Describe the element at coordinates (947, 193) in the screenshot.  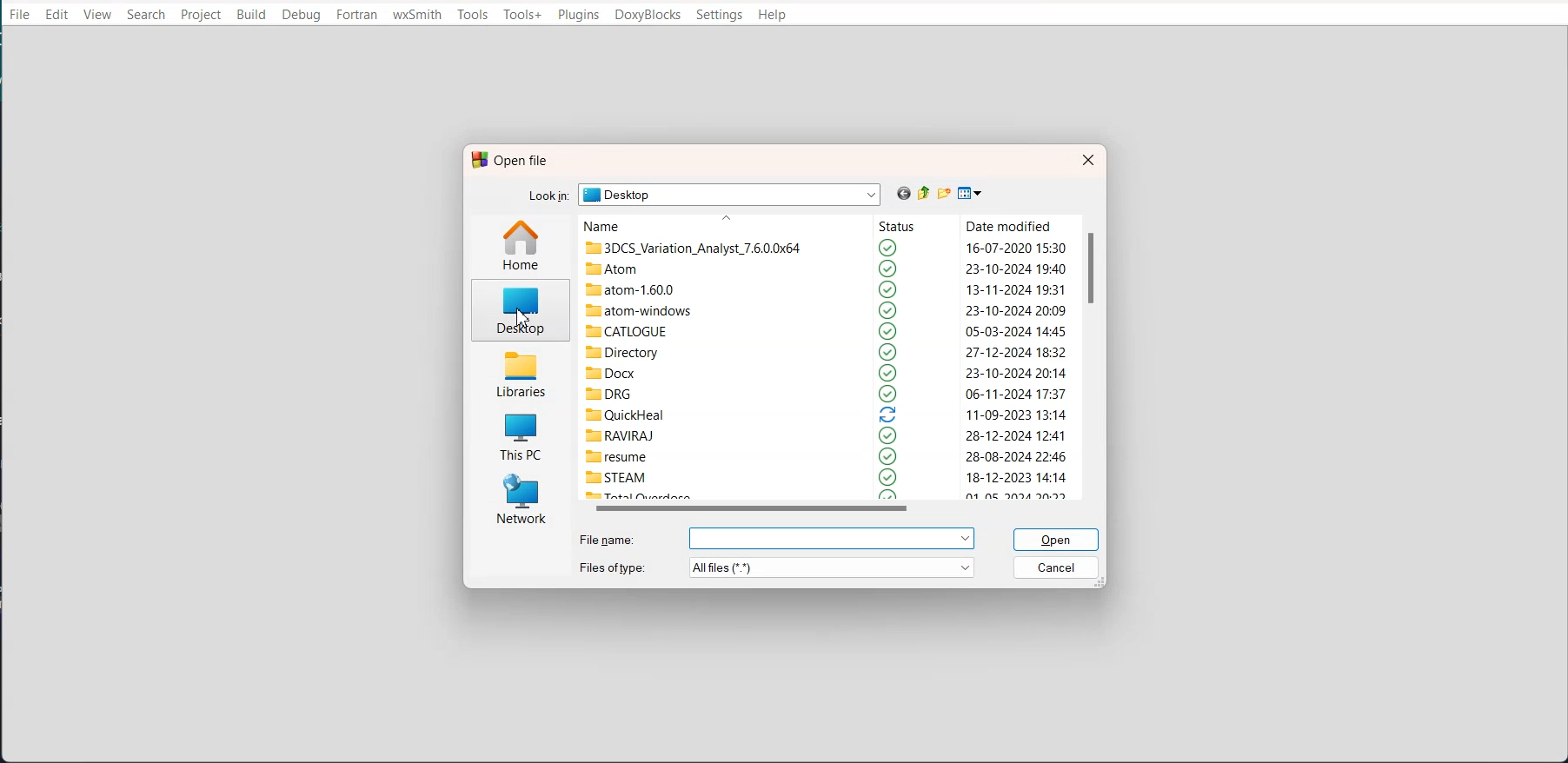
I see `Create new folder` at that location.